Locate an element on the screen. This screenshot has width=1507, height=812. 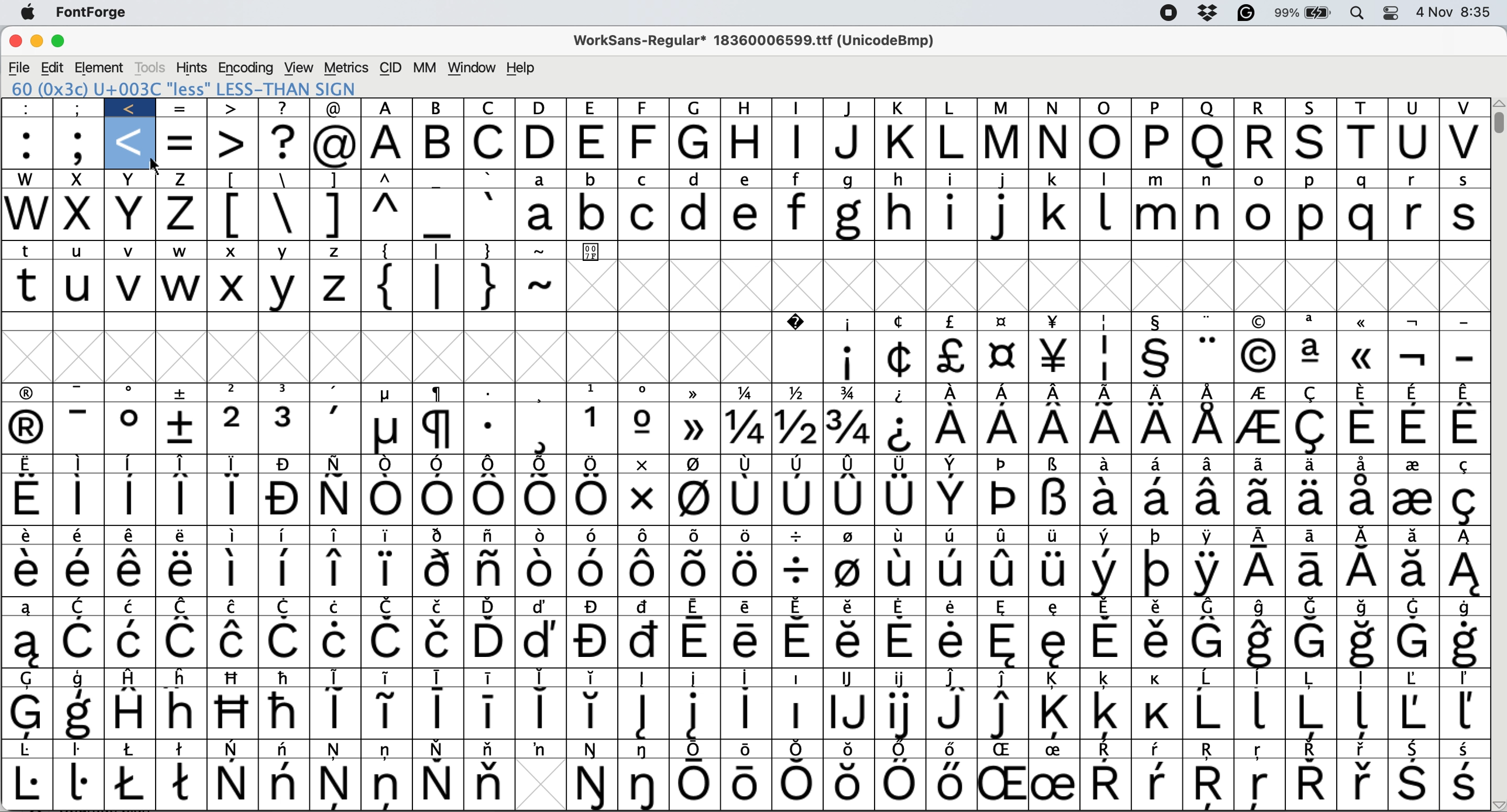
Symbol is located at coordinates (1363, 607).